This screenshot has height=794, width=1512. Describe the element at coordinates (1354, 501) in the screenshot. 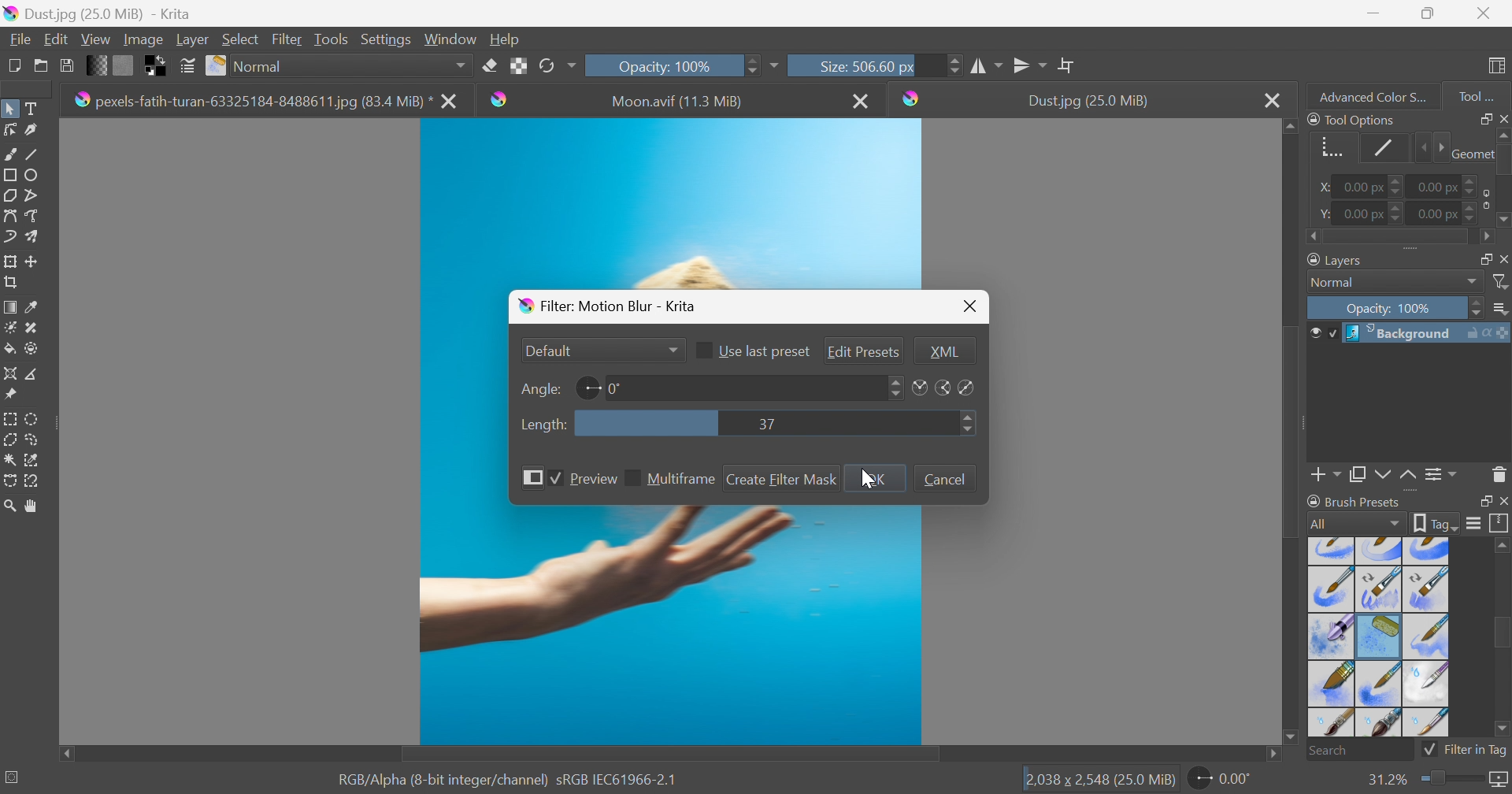

I see `Brush Presets` at that location.